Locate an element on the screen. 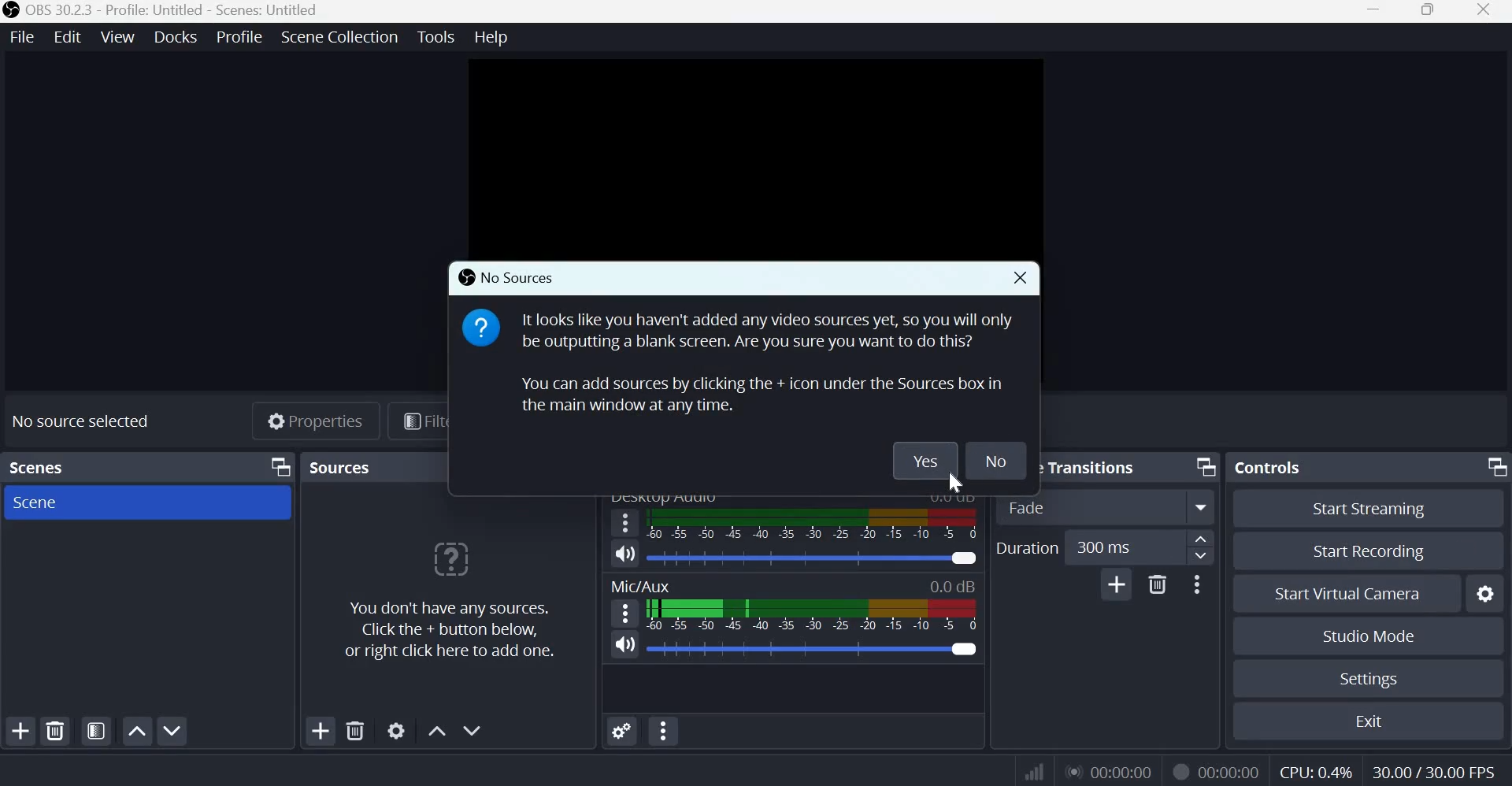 The width and height of the screenshot is (1512, 786). You don't have any sources. Click the +button below, or right click here to add one.  is located at coordinates (454, 600).